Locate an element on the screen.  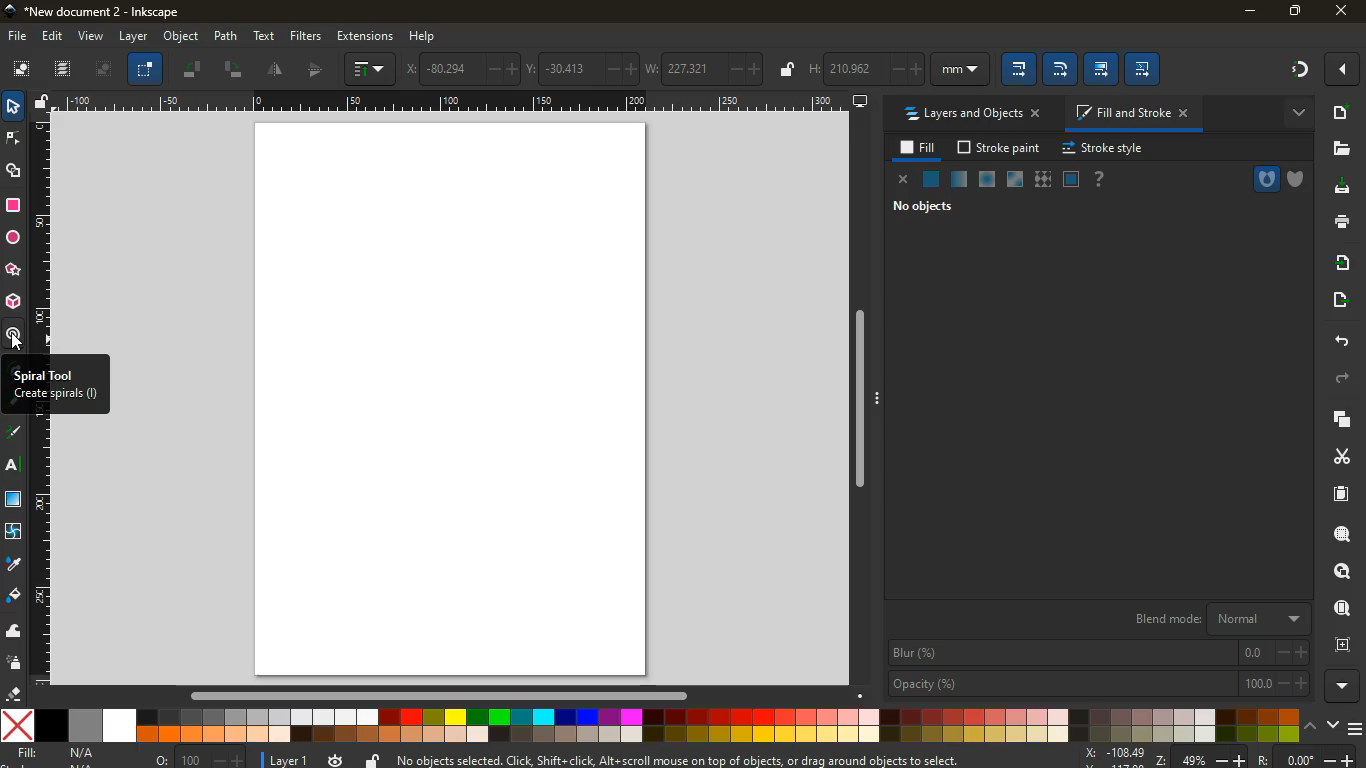
texture is located at coordinates (1042, 179).